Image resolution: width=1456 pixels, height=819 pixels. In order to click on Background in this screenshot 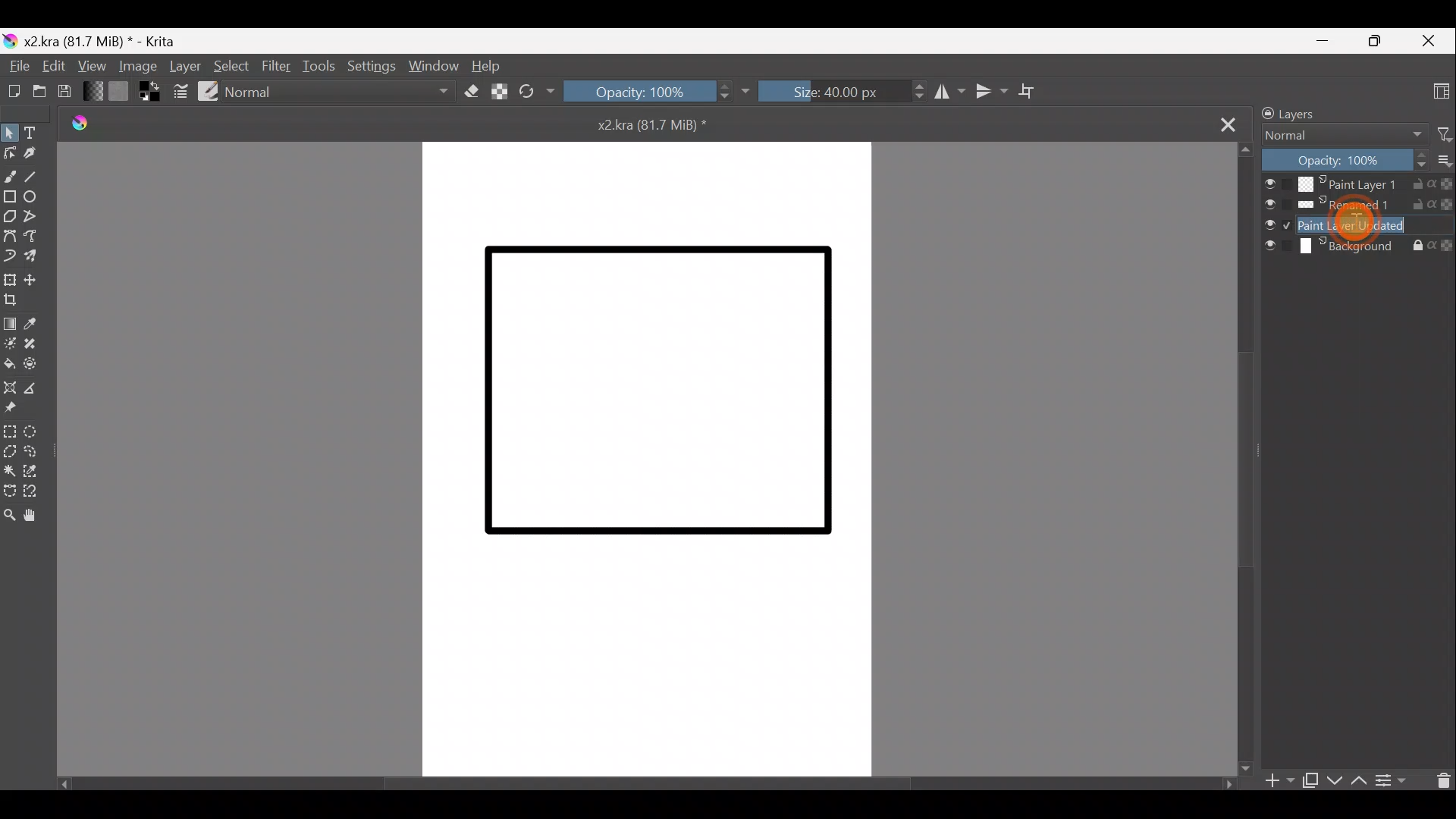, I will do `click(1357, 249)`.